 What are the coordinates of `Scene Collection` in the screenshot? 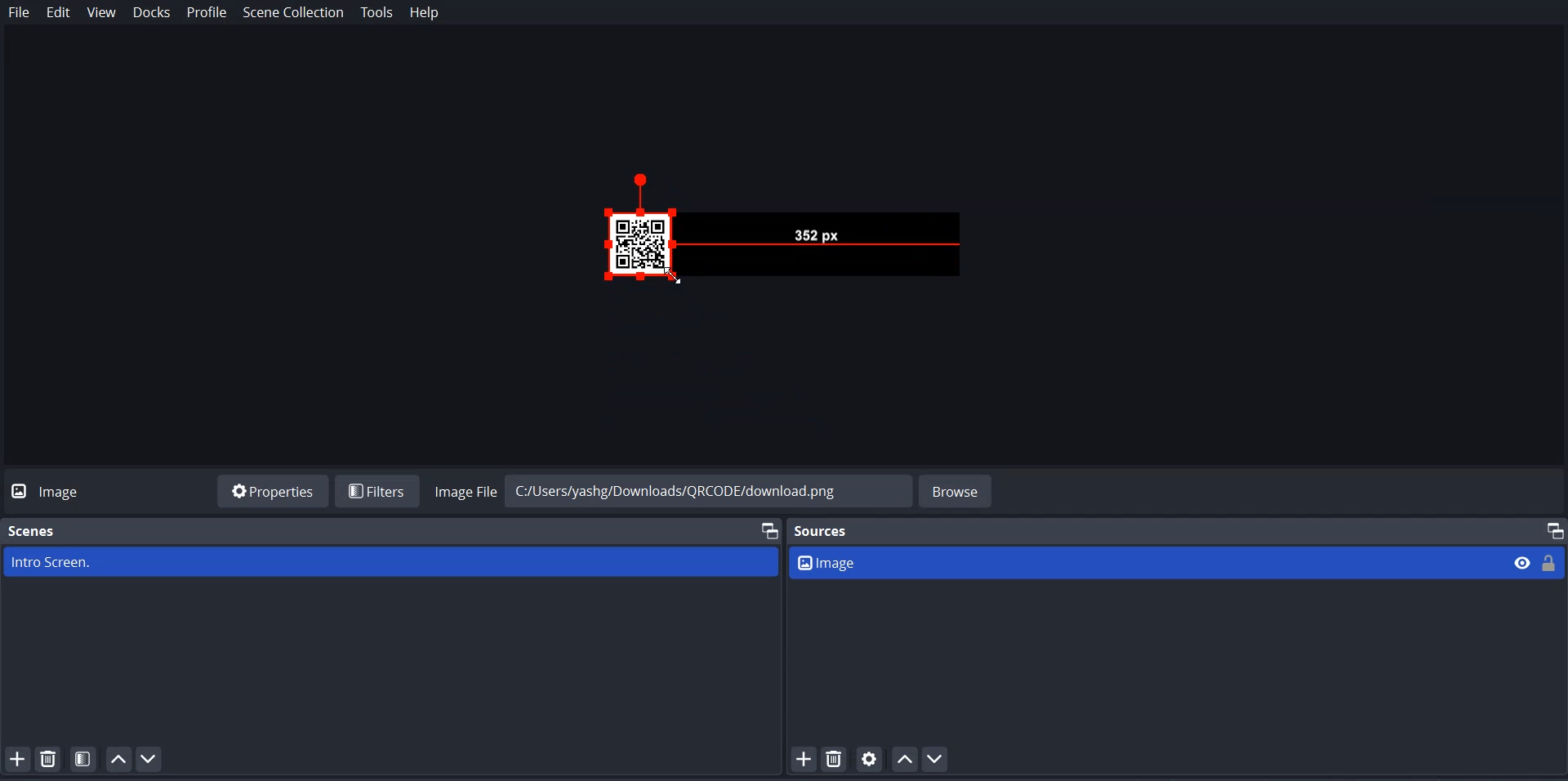 It's located at (294, 14).